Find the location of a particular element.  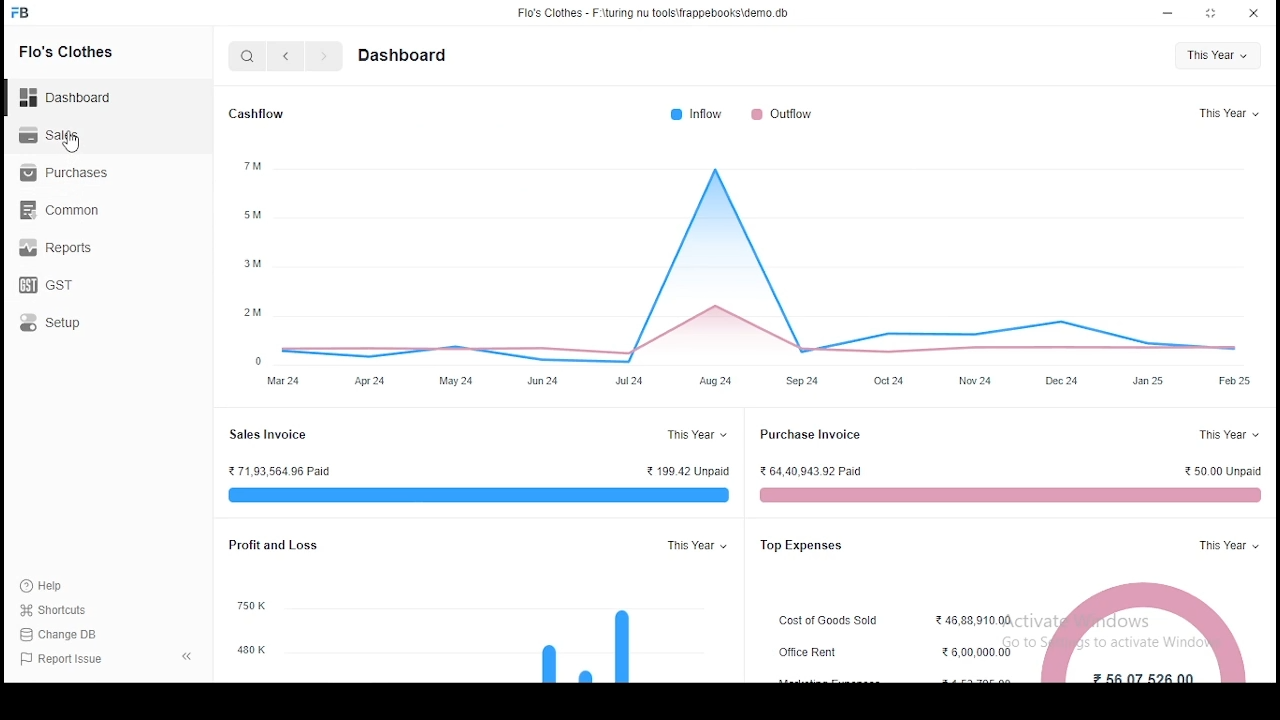

2m is located at coordinates (254, 311).